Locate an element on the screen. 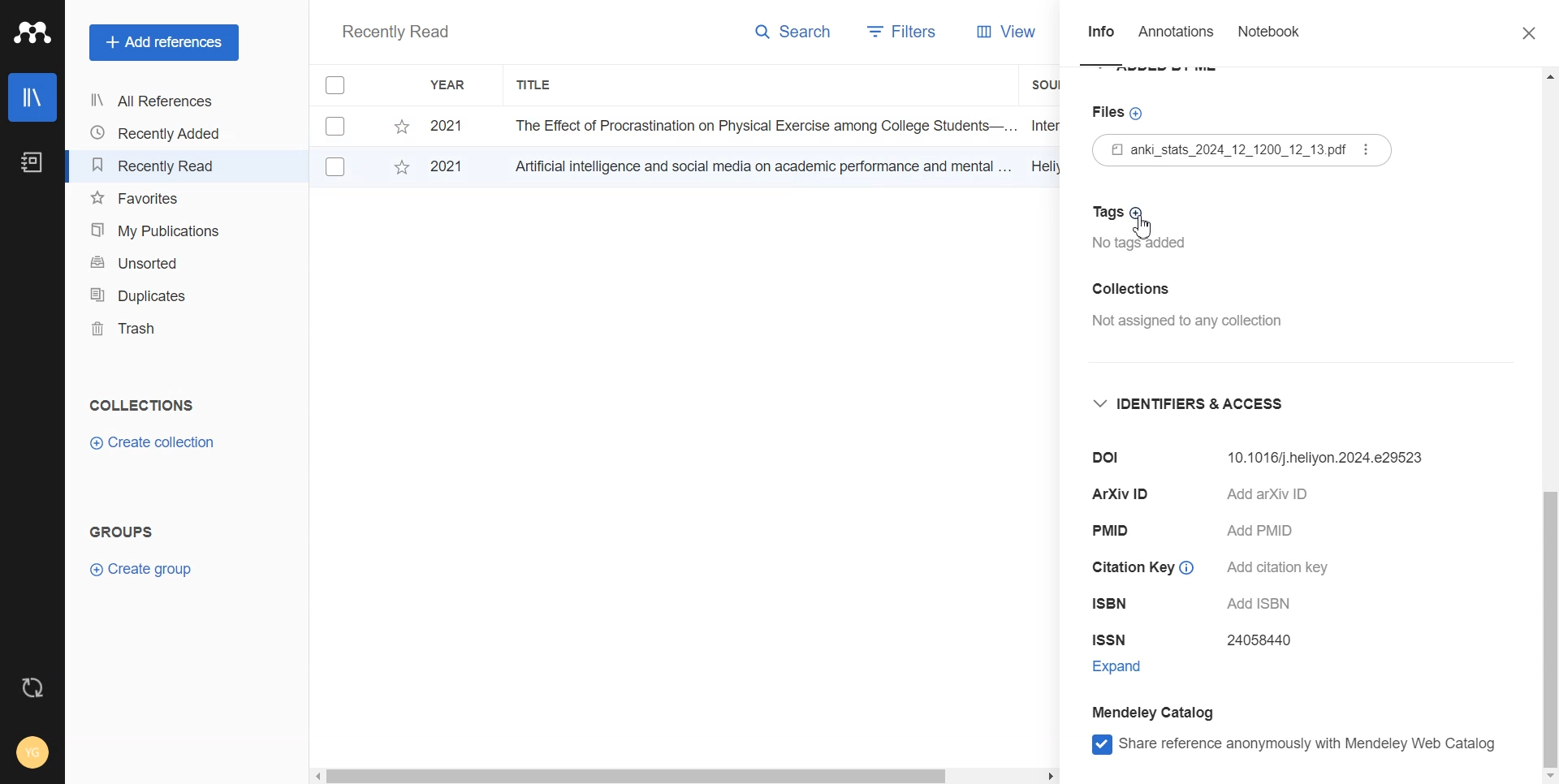 The width and height of the screenshot is (1559, 784). Notebook is located at coordinates (30, 163).